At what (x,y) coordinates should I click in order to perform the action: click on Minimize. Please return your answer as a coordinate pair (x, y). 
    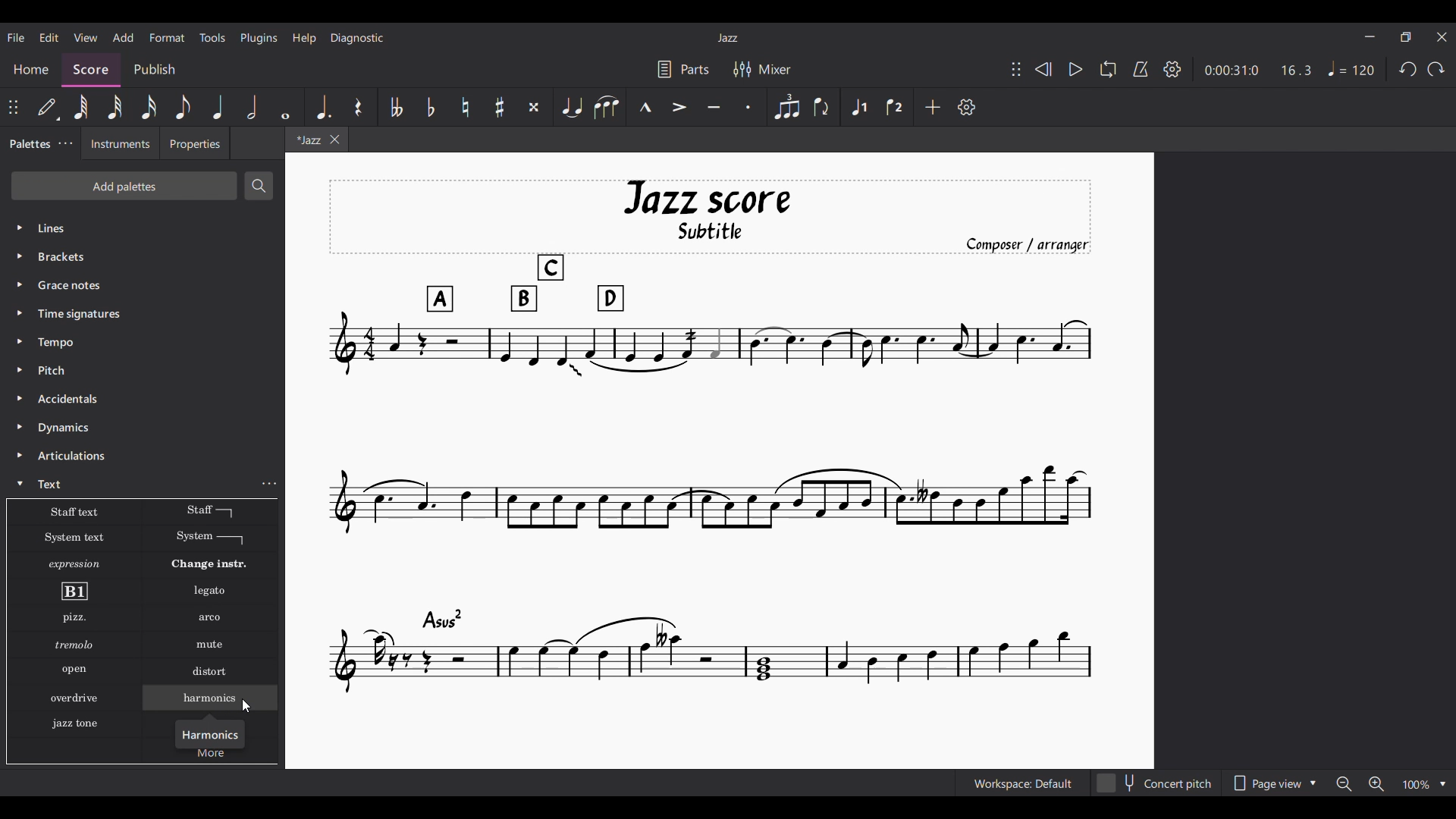
    Looking at the image, I should click on (1370, 36).